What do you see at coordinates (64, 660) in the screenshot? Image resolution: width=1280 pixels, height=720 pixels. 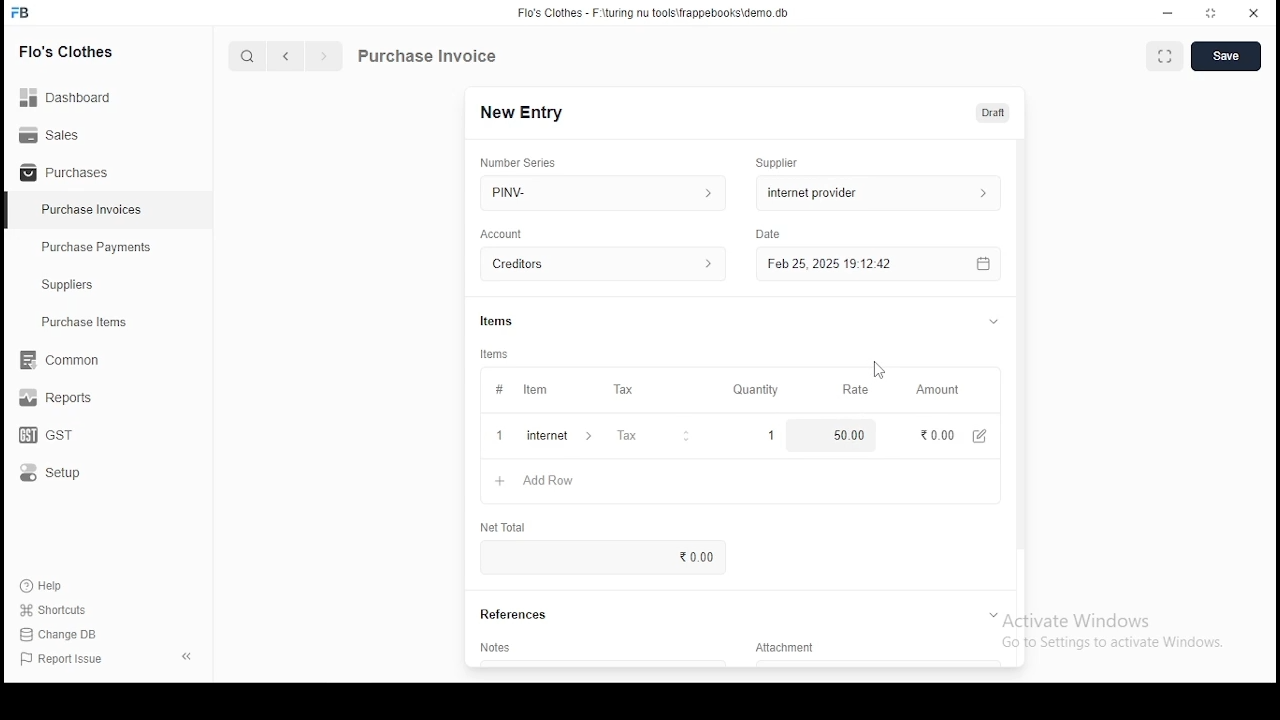 I see `report issue` at bounding box center [64, 660].